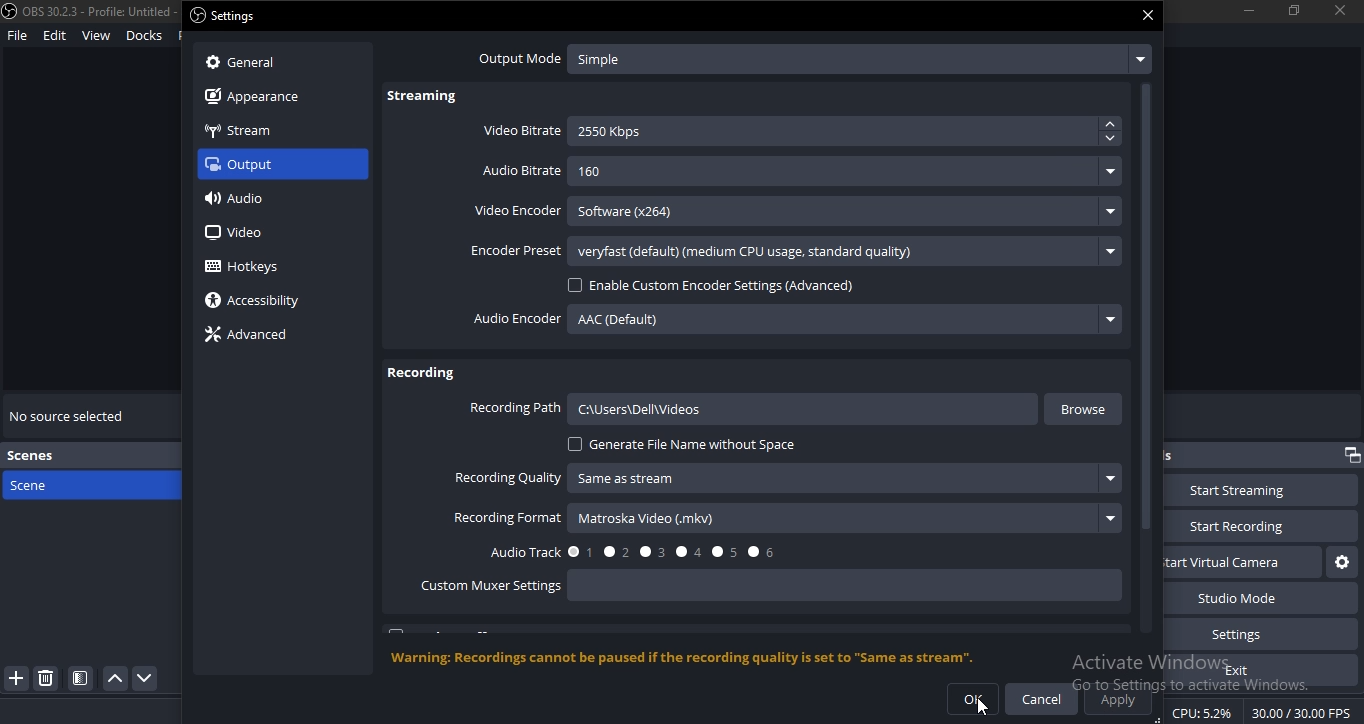  Describe the element at coordinates (1149, 14) in the screenshot. I see `close` at that location.